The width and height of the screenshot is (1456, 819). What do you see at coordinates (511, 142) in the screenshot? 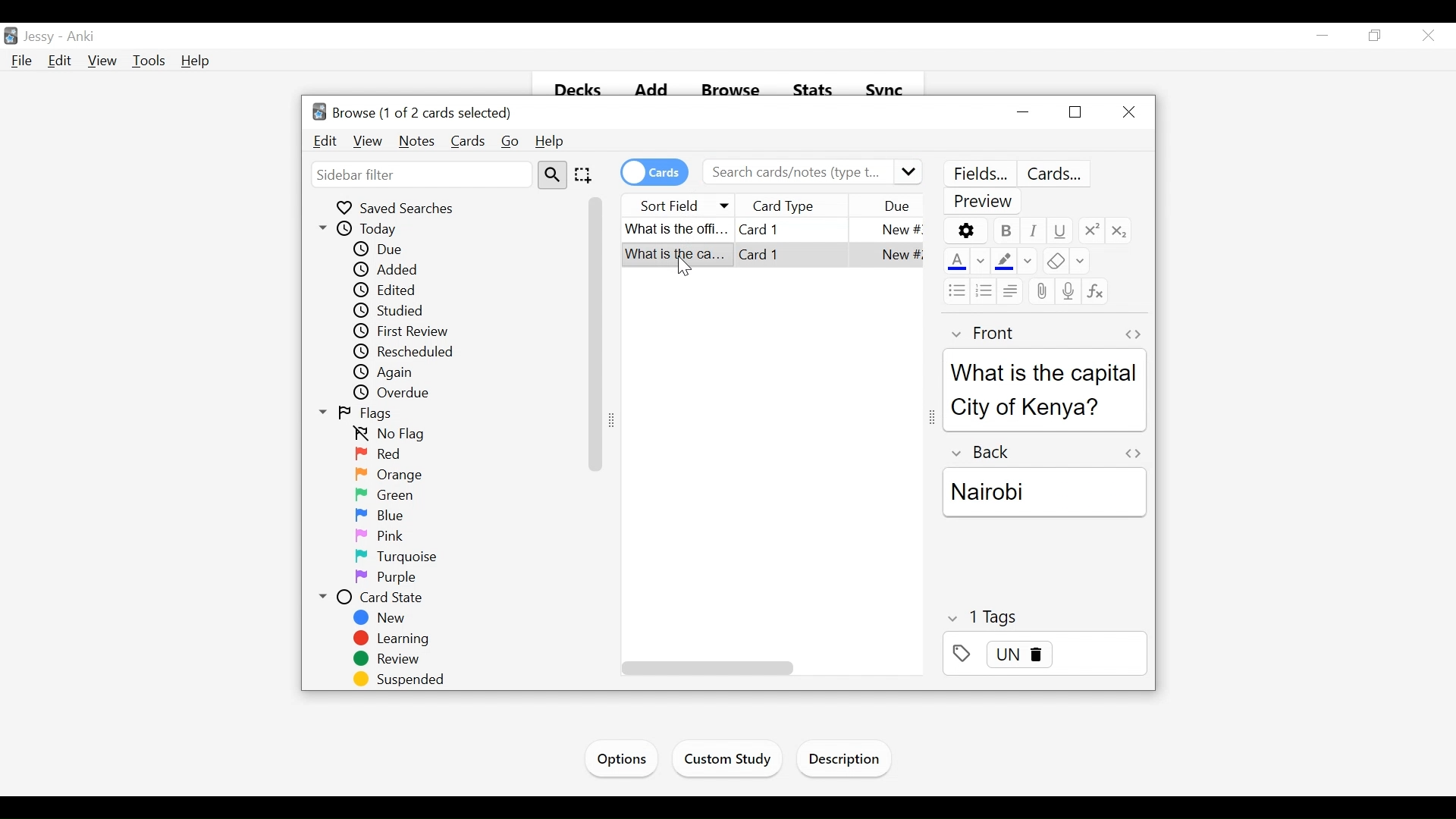
I see `Go` at bounding box center [511, 142].